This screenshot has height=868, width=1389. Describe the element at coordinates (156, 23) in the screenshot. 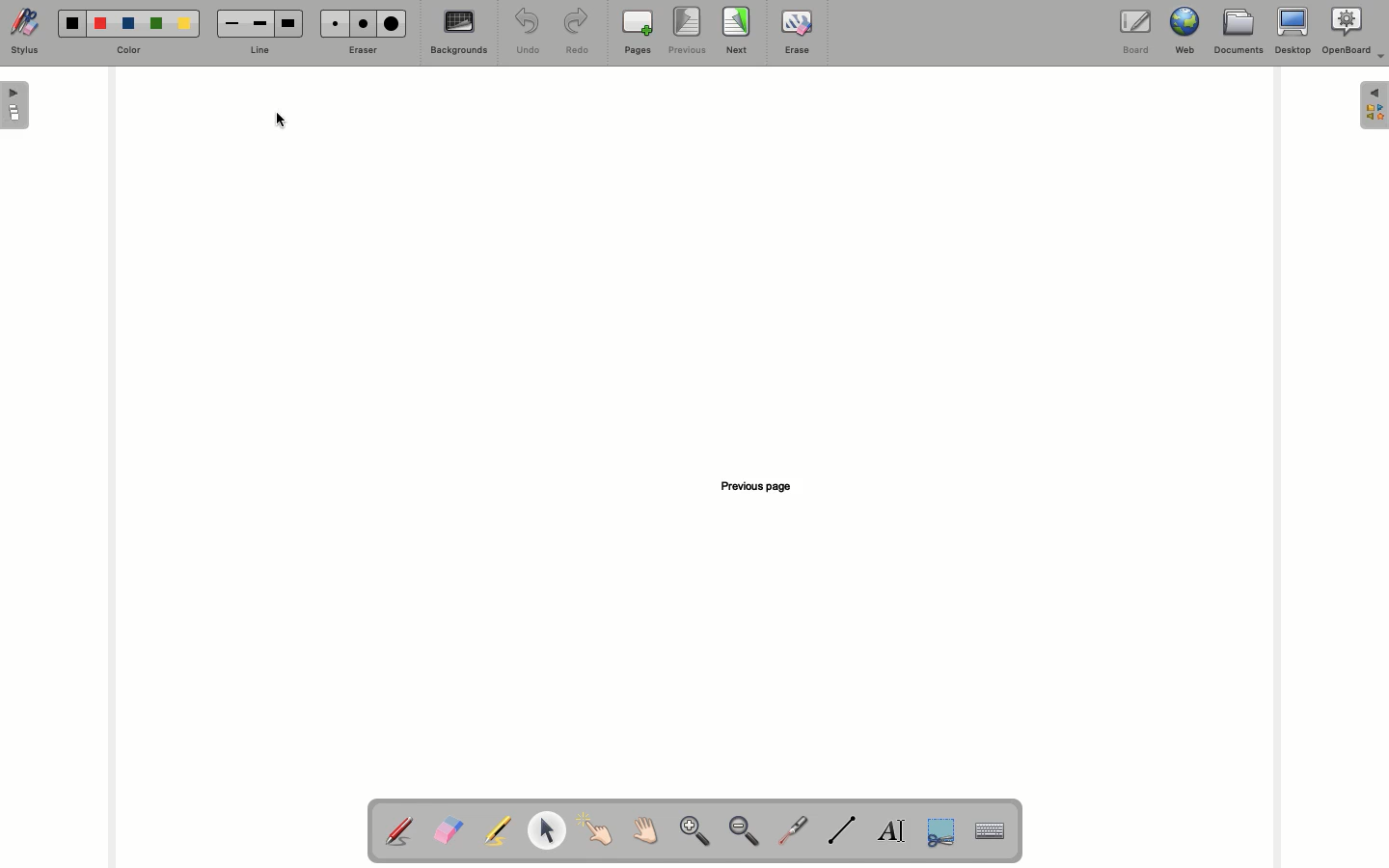

I see `Color 4` at that location.